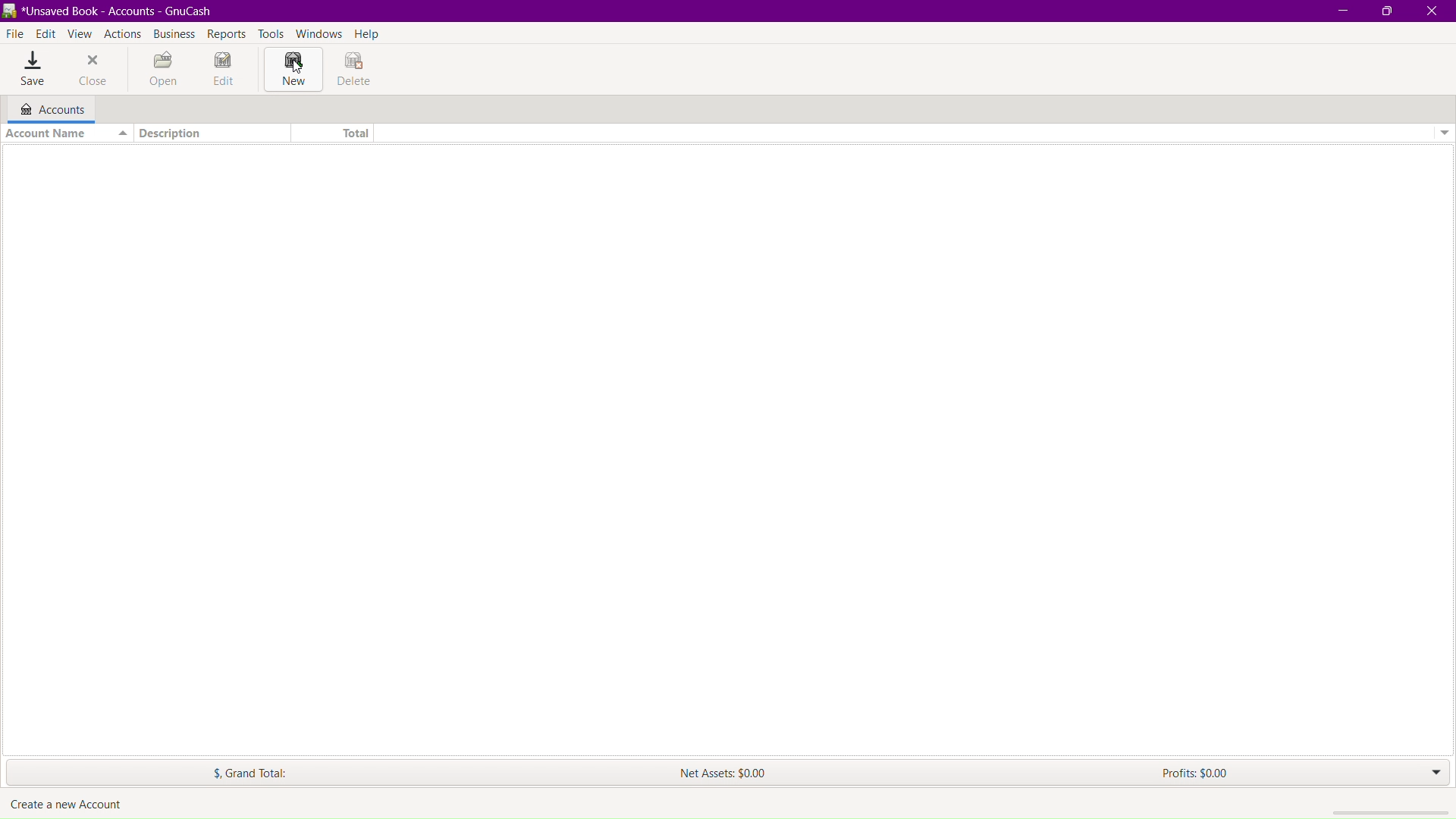 The width and height of the screenshot is (1456, 819). Describe the element at coordinates (1386, 11) in the screenshot. I see `Maximize` at that location.